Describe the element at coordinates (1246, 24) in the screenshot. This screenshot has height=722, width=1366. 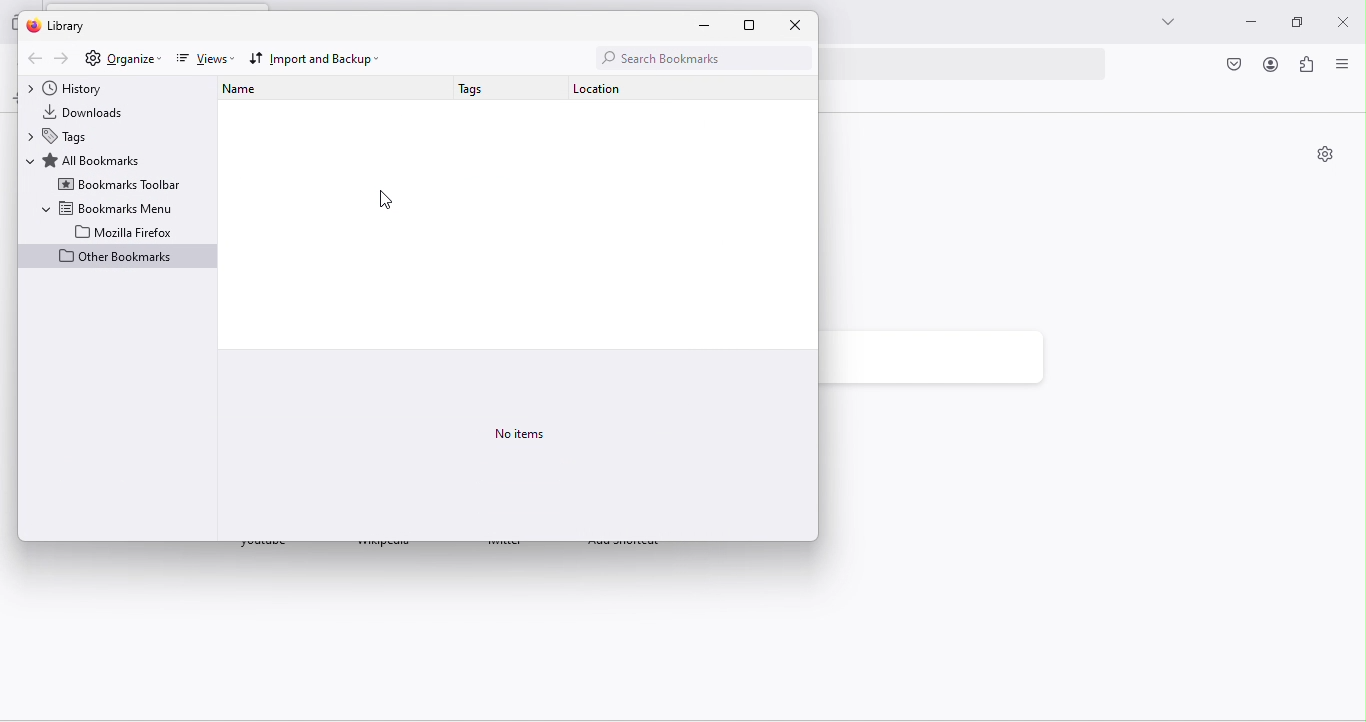
I see `minimize` at that location.